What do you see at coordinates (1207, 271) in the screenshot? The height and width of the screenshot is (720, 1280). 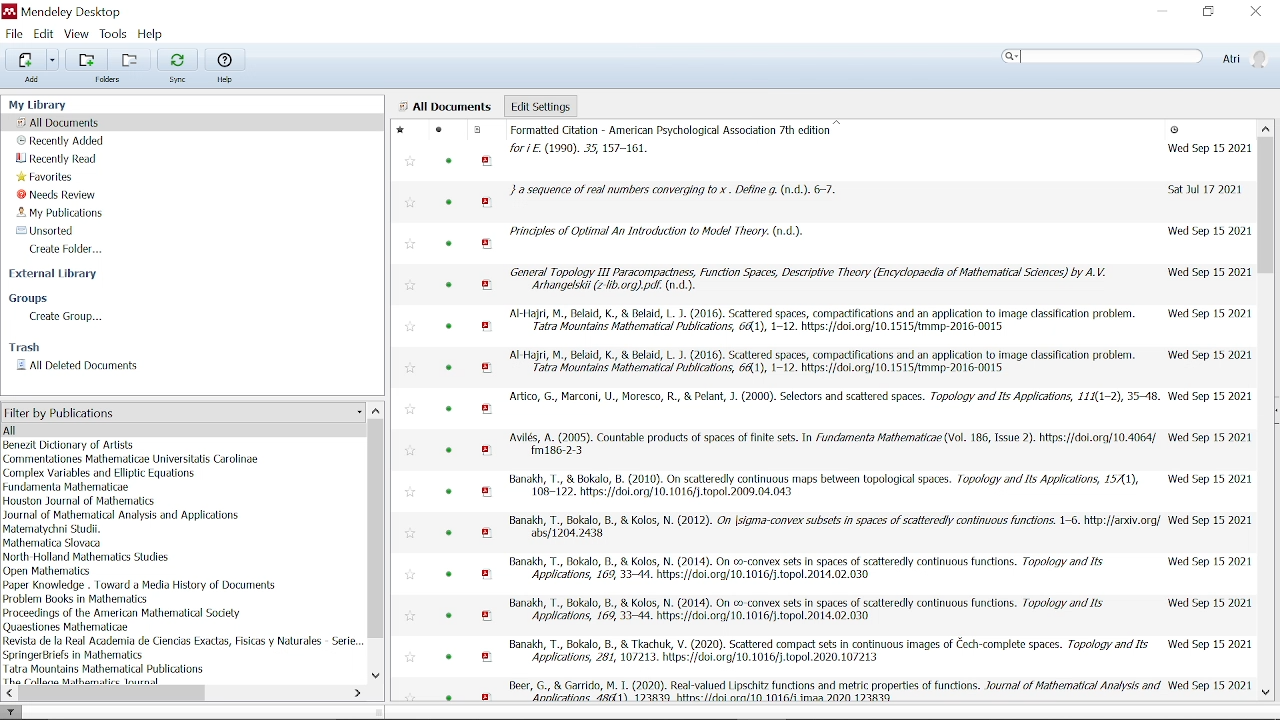 I see `Date time` at bounding box center [1207, 271].